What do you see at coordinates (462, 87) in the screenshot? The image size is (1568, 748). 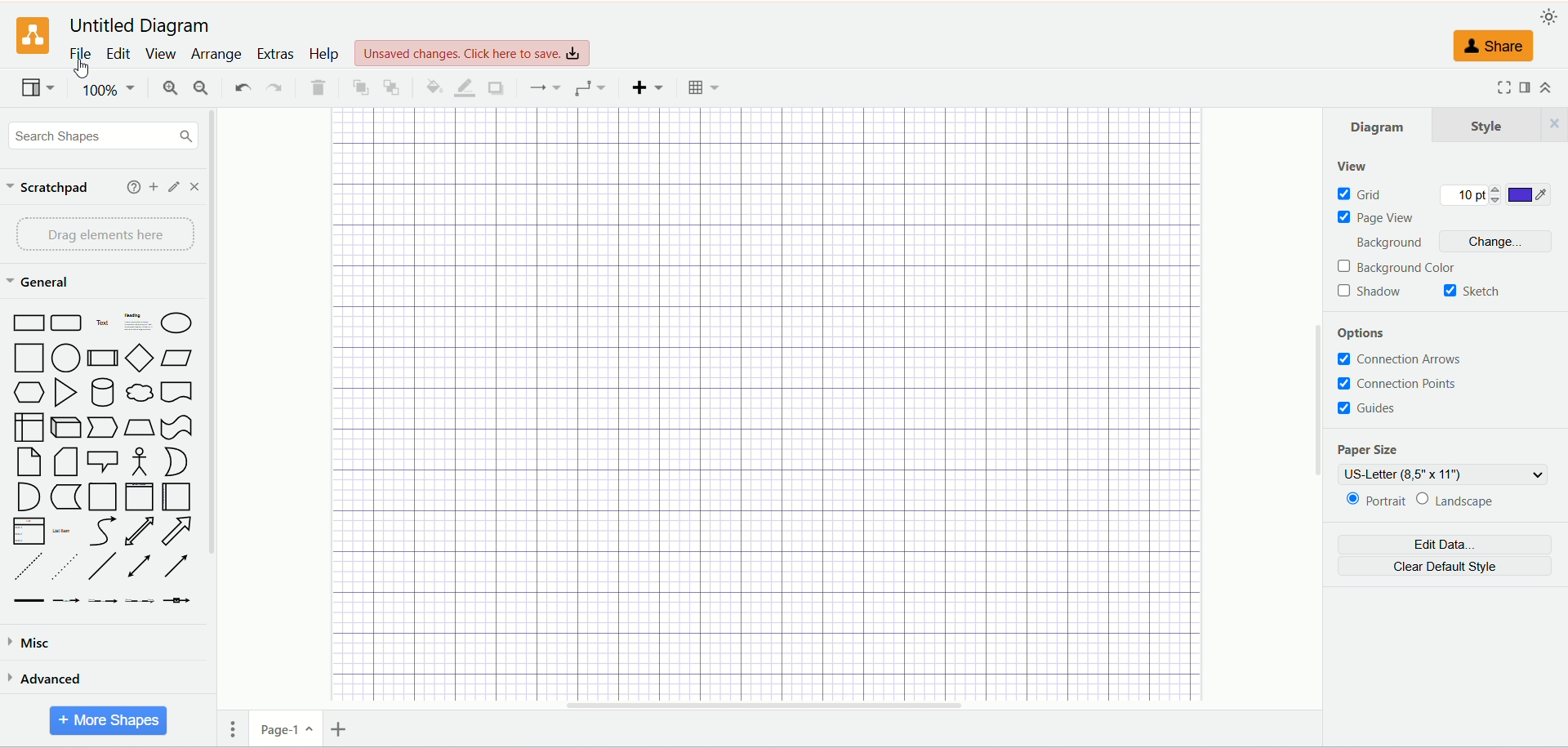 I see `line color` at bounding box center [462, 87].